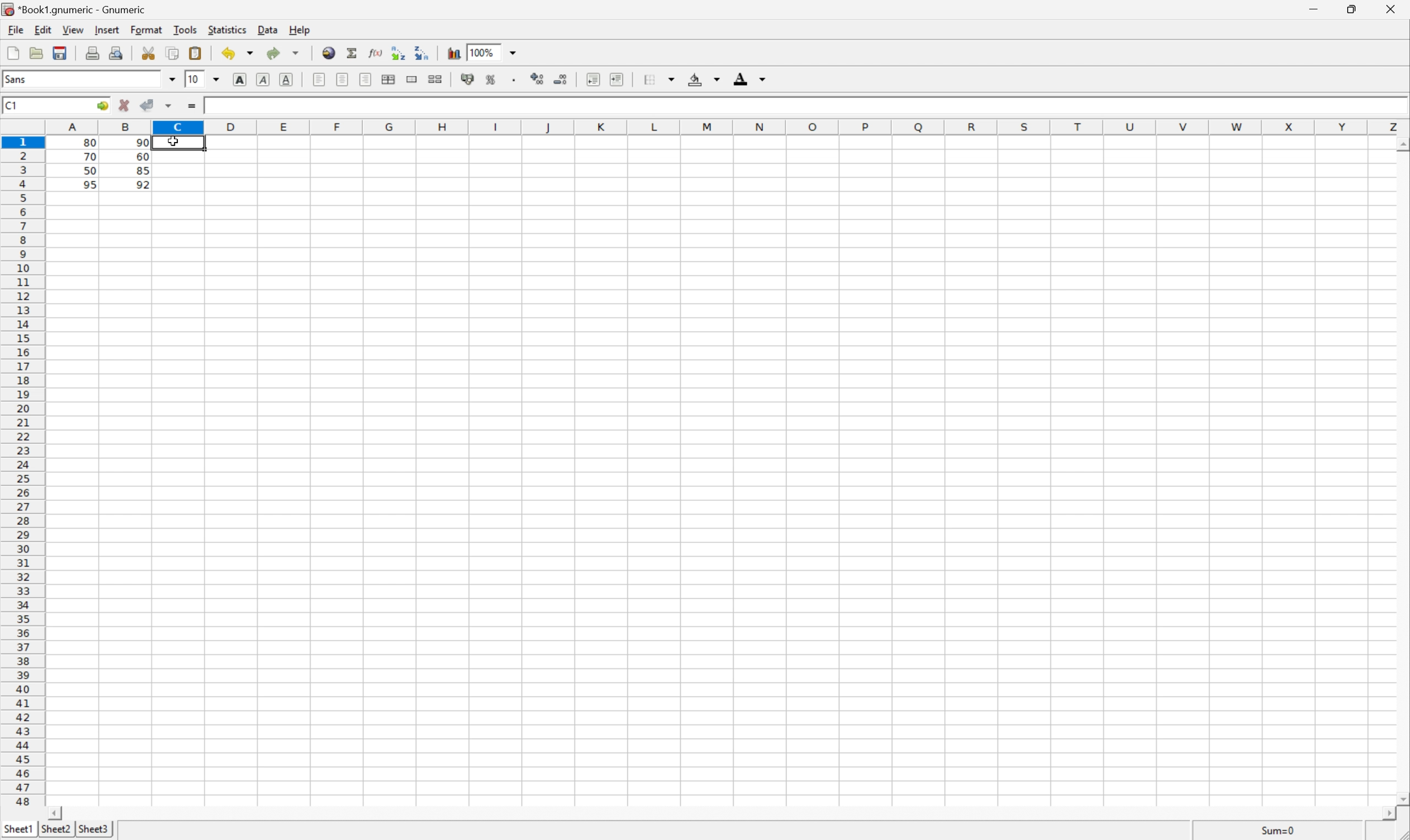 The image size is (1410, 840). What do you see at coordinates (193, 79) in the screenshot?
I see `10` at bounding box center [193, 79].